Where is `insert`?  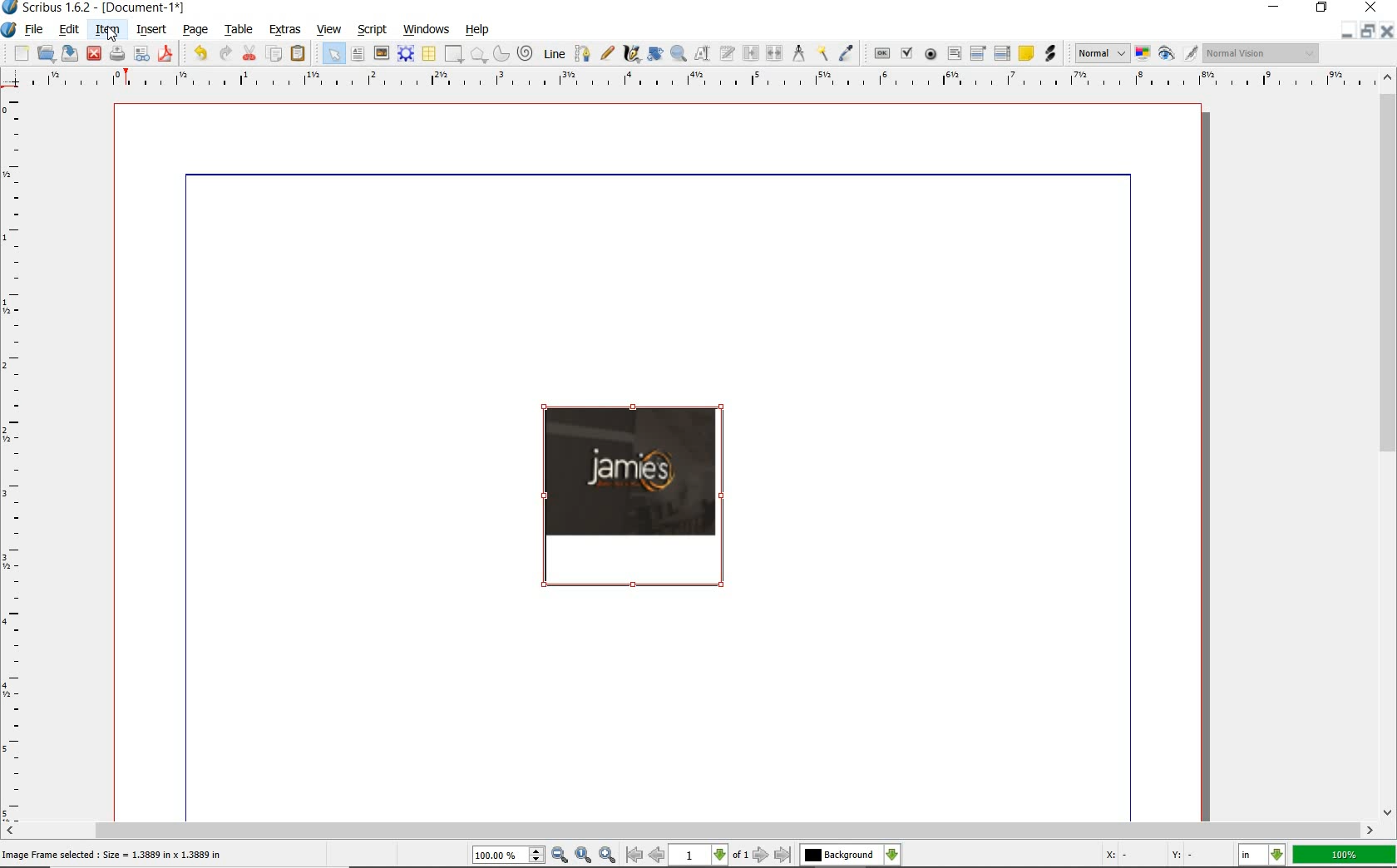 insert is located at coordinates (152, 29).